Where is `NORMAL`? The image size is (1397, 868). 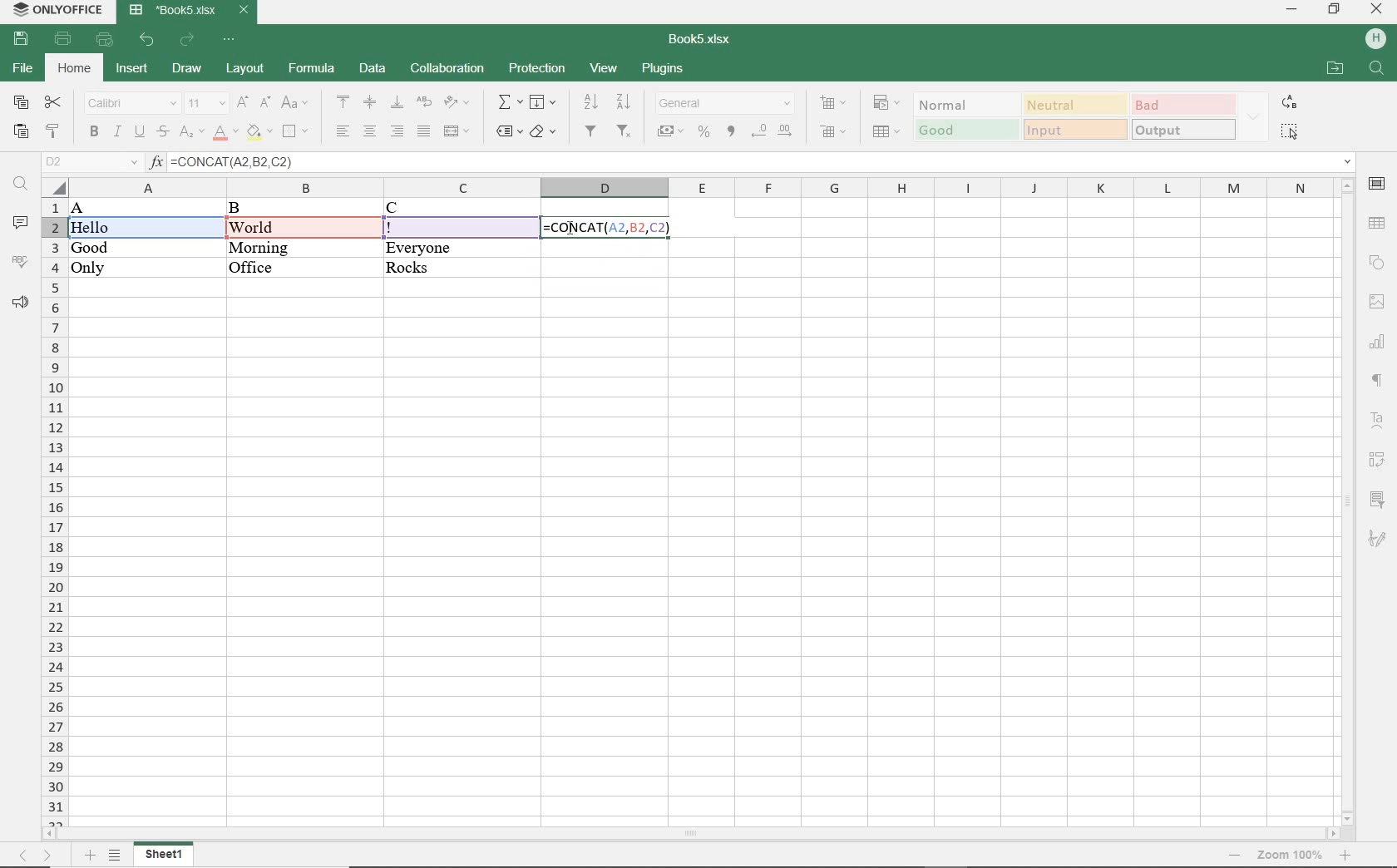 NORMAL is located at coordinates (964, 105).